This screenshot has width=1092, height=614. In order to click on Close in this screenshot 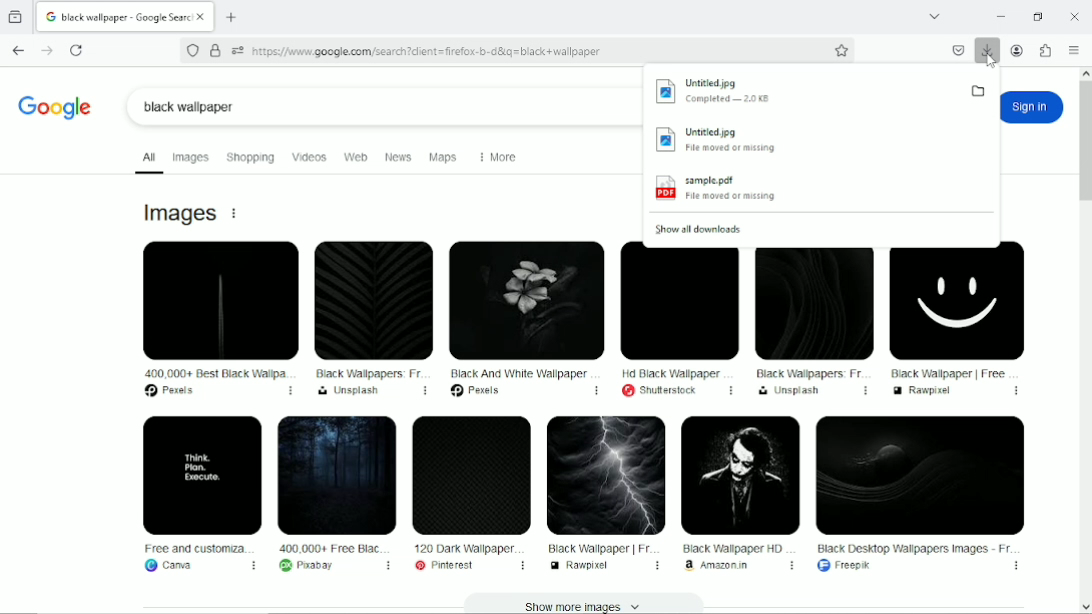, I will do `click(1076, 17)`.